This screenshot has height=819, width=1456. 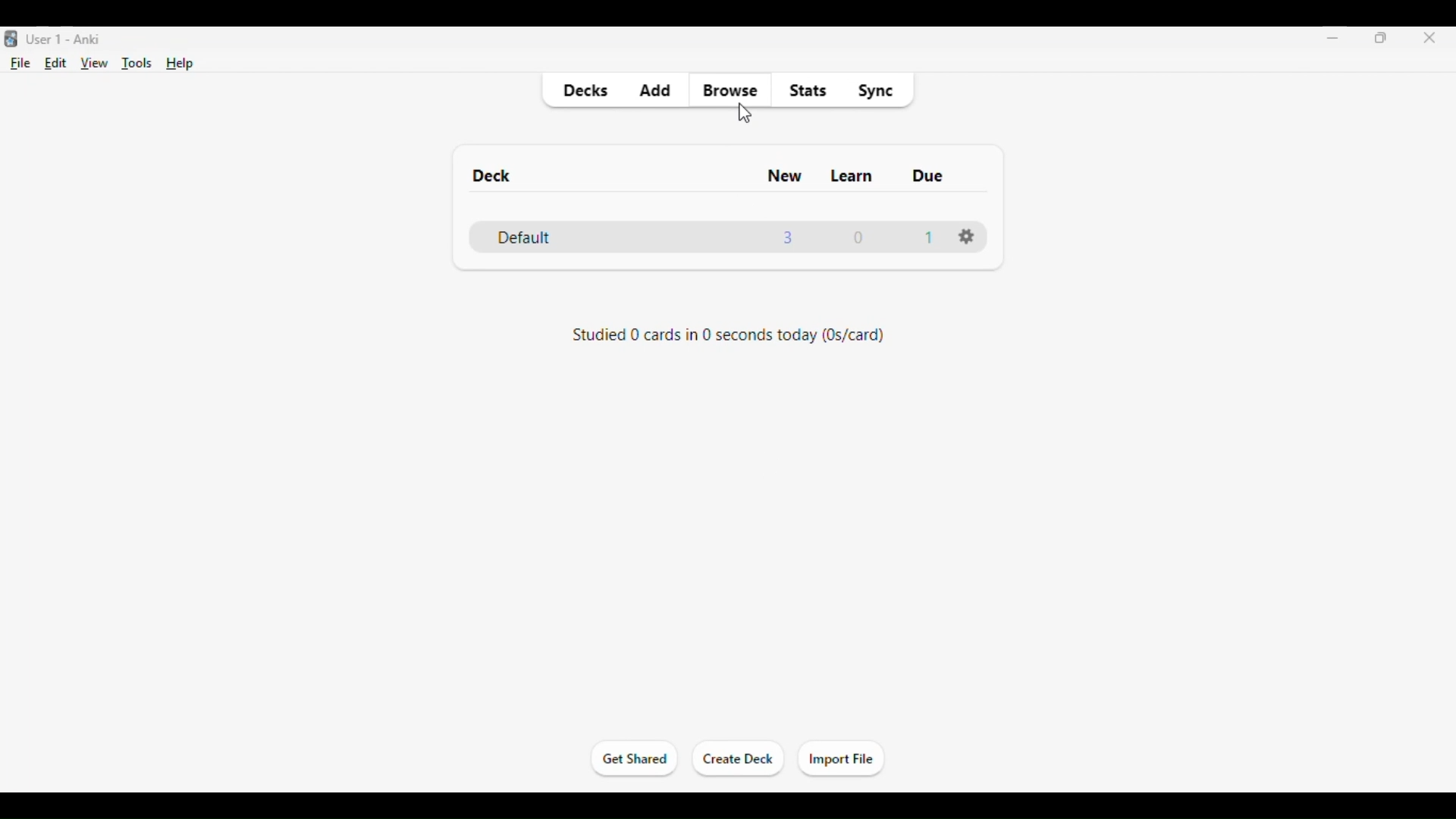 What do you see at coordinates (635, 758) in the screenshot?
I see `get shared` at bounding box center [635, 758].